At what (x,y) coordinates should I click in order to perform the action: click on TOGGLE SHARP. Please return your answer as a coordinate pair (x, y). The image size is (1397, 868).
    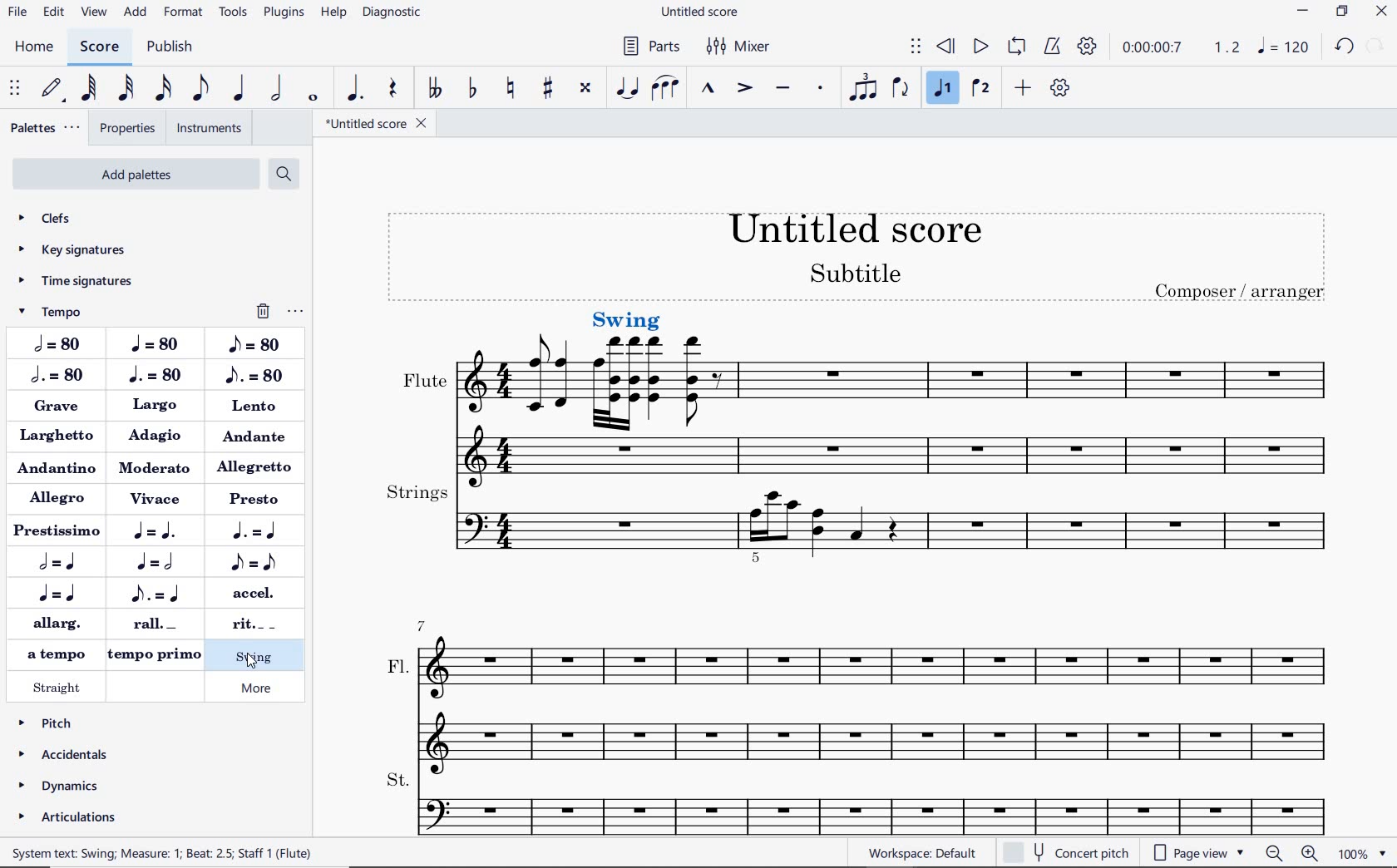
    Looking at the image, I should click on (545, 89).